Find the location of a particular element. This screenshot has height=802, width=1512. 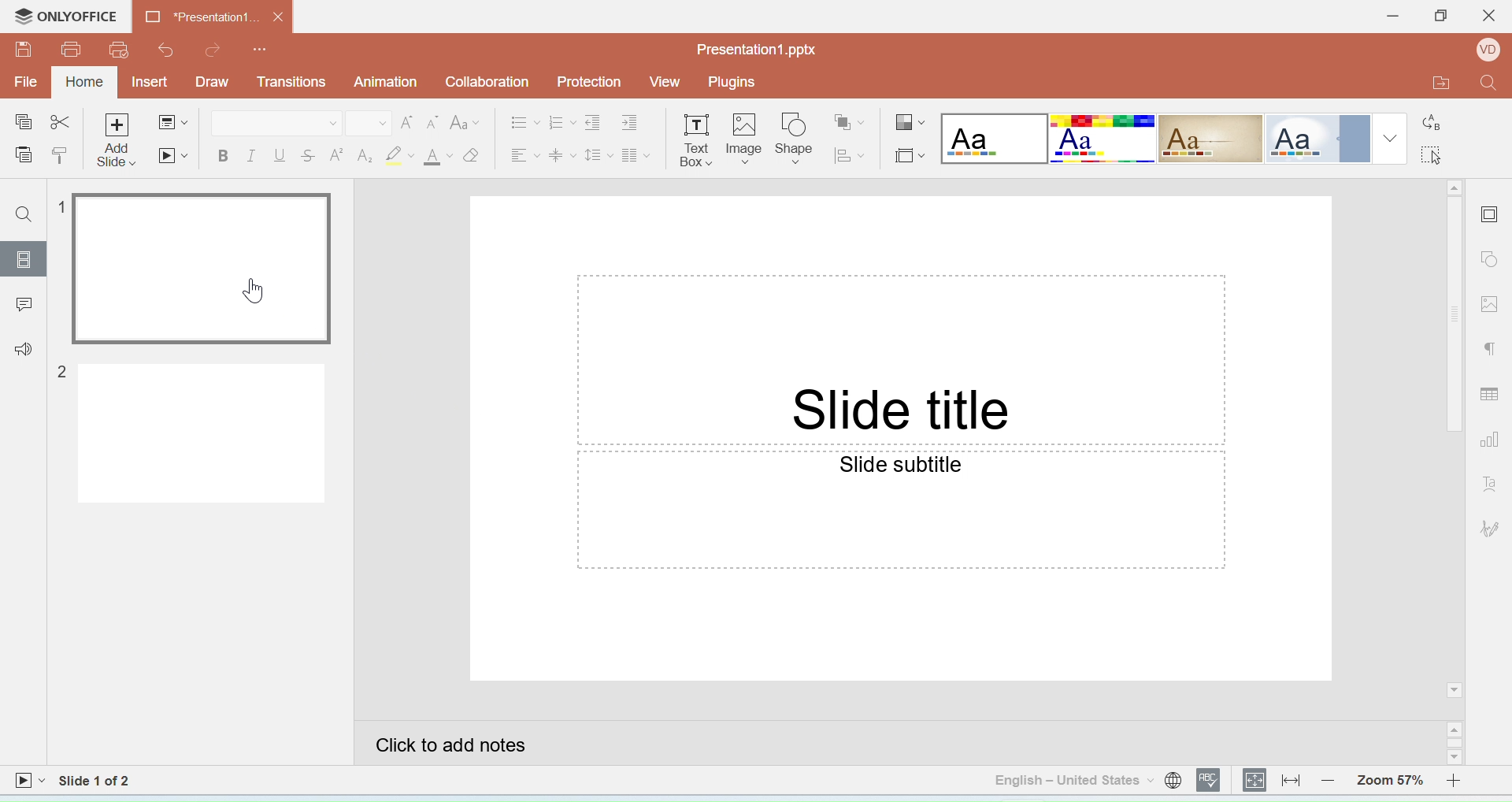

View is located at coordinates (665, 82).